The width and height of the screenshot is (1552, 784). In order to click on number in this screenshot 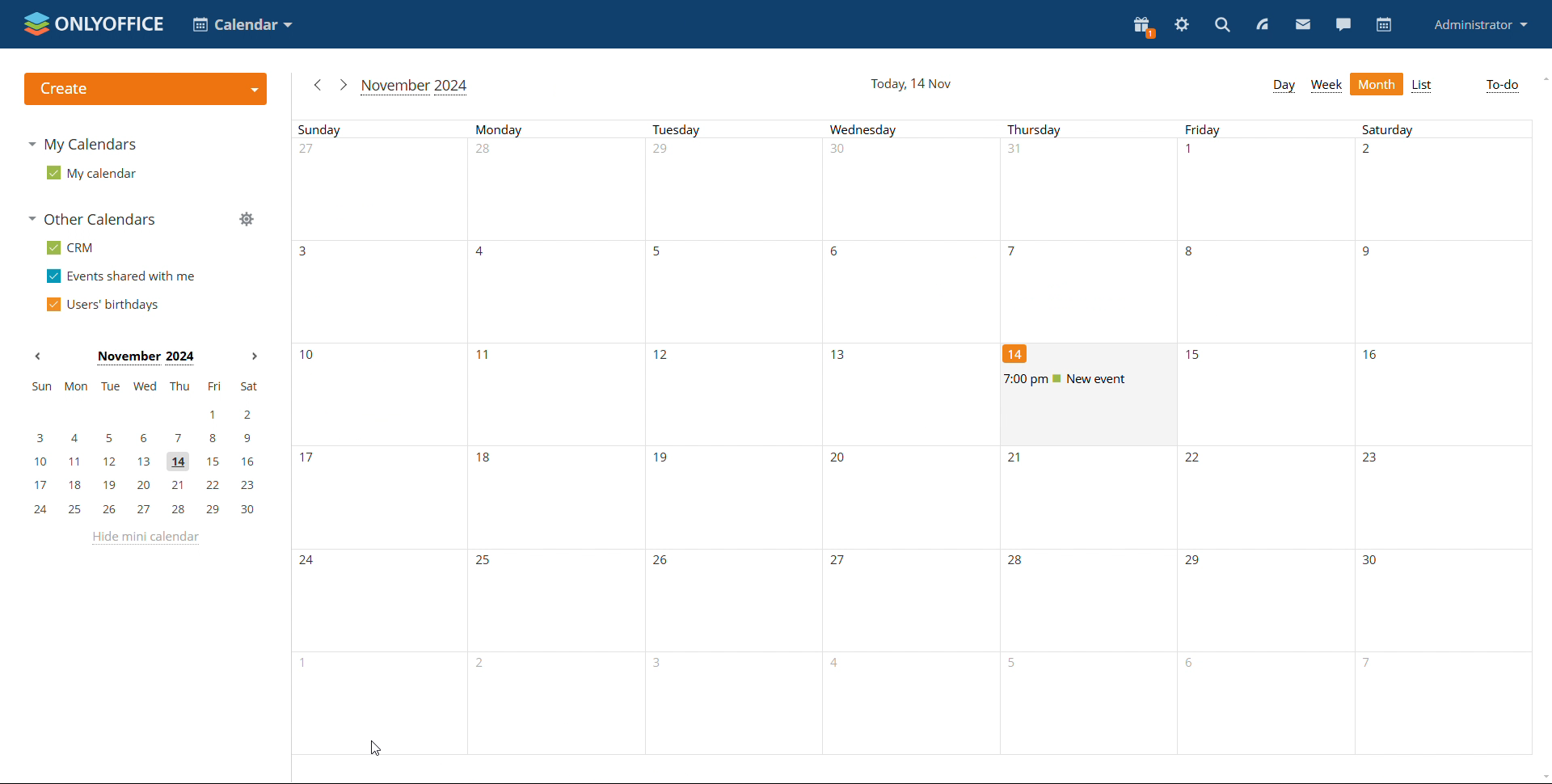, I will do `click(485, 154)`.